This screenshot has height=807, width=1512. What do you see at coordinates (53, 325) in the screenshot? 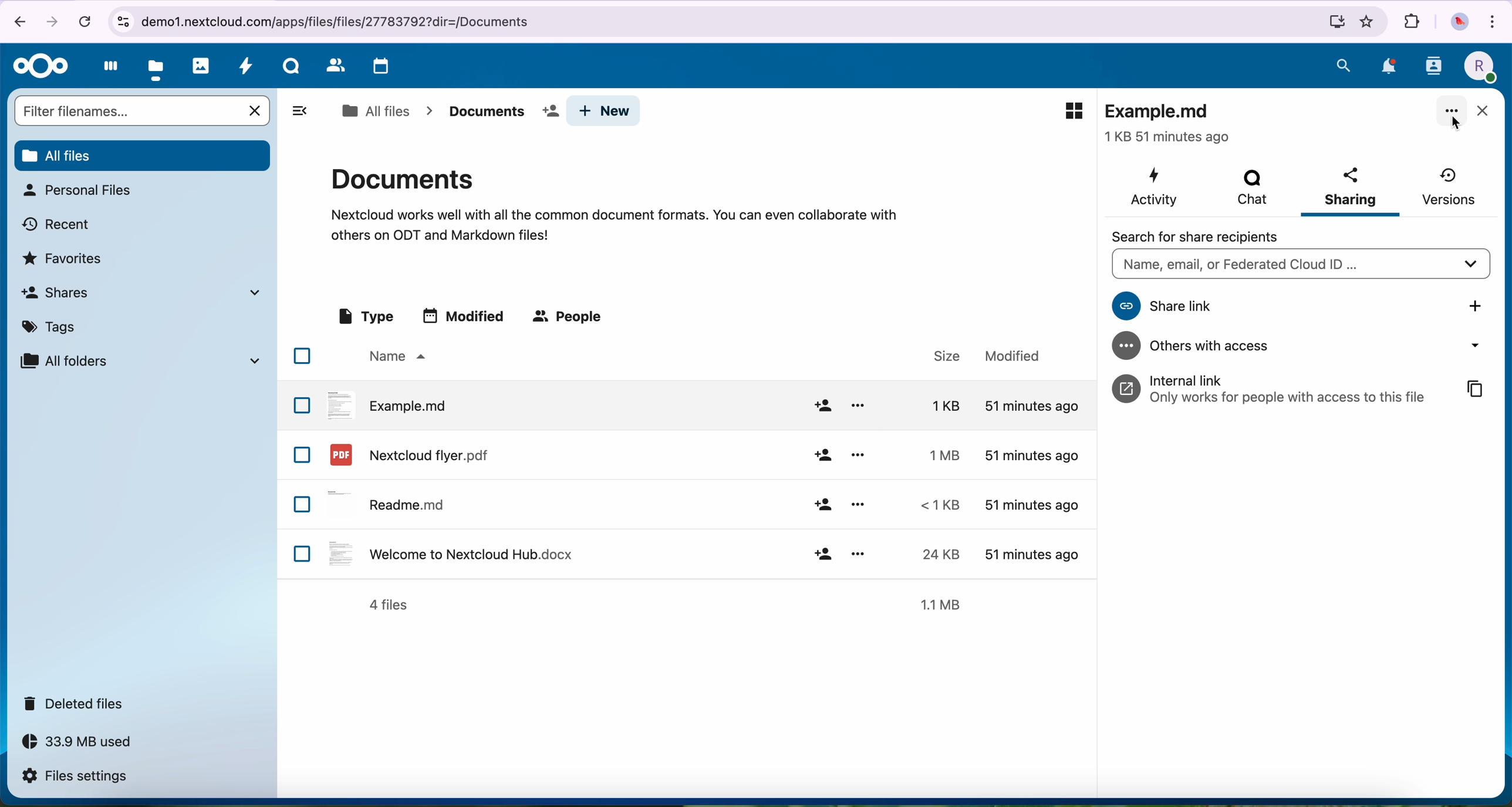
I see `tags` at bounding box center [53, 325].